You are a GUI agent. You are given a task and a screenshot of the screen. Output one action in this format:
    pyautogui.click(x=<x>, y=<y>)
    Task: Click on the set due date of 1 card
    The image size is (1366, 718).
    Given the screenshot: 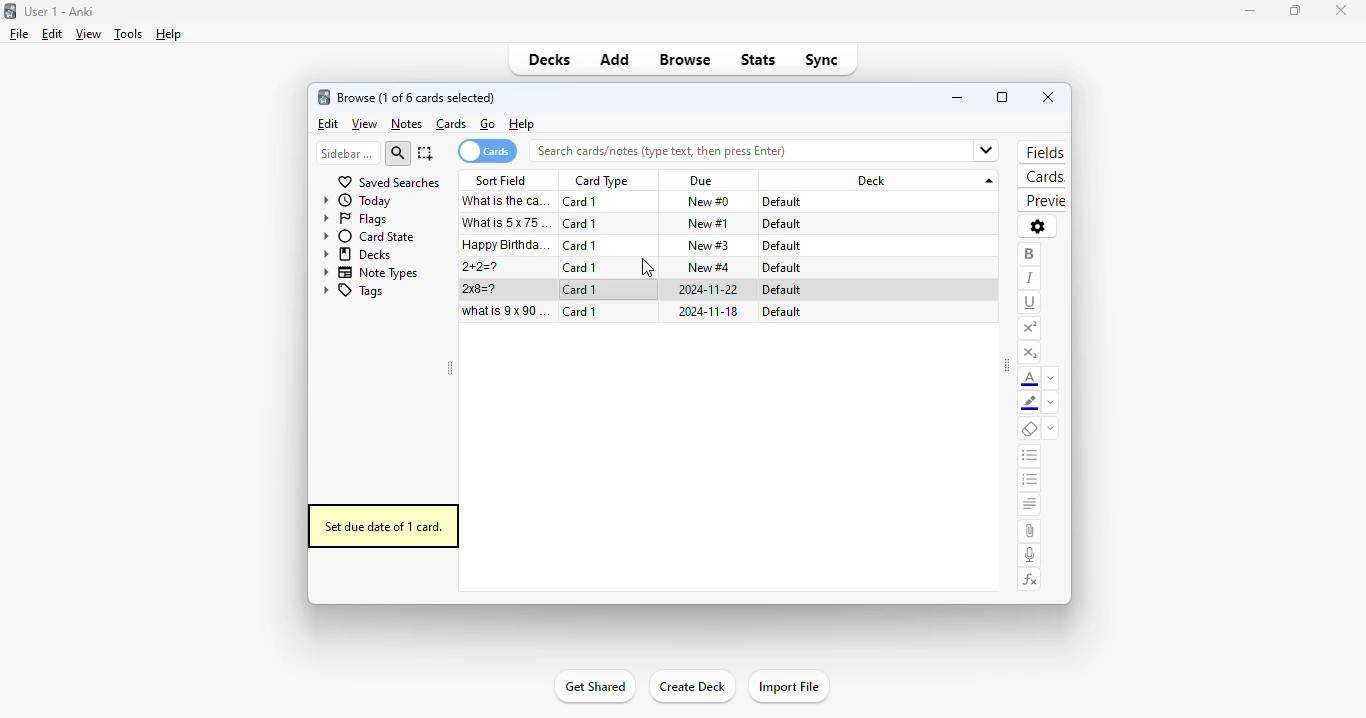 What is the action you would take?
    pyautogui.click(x=386, y=526)
    